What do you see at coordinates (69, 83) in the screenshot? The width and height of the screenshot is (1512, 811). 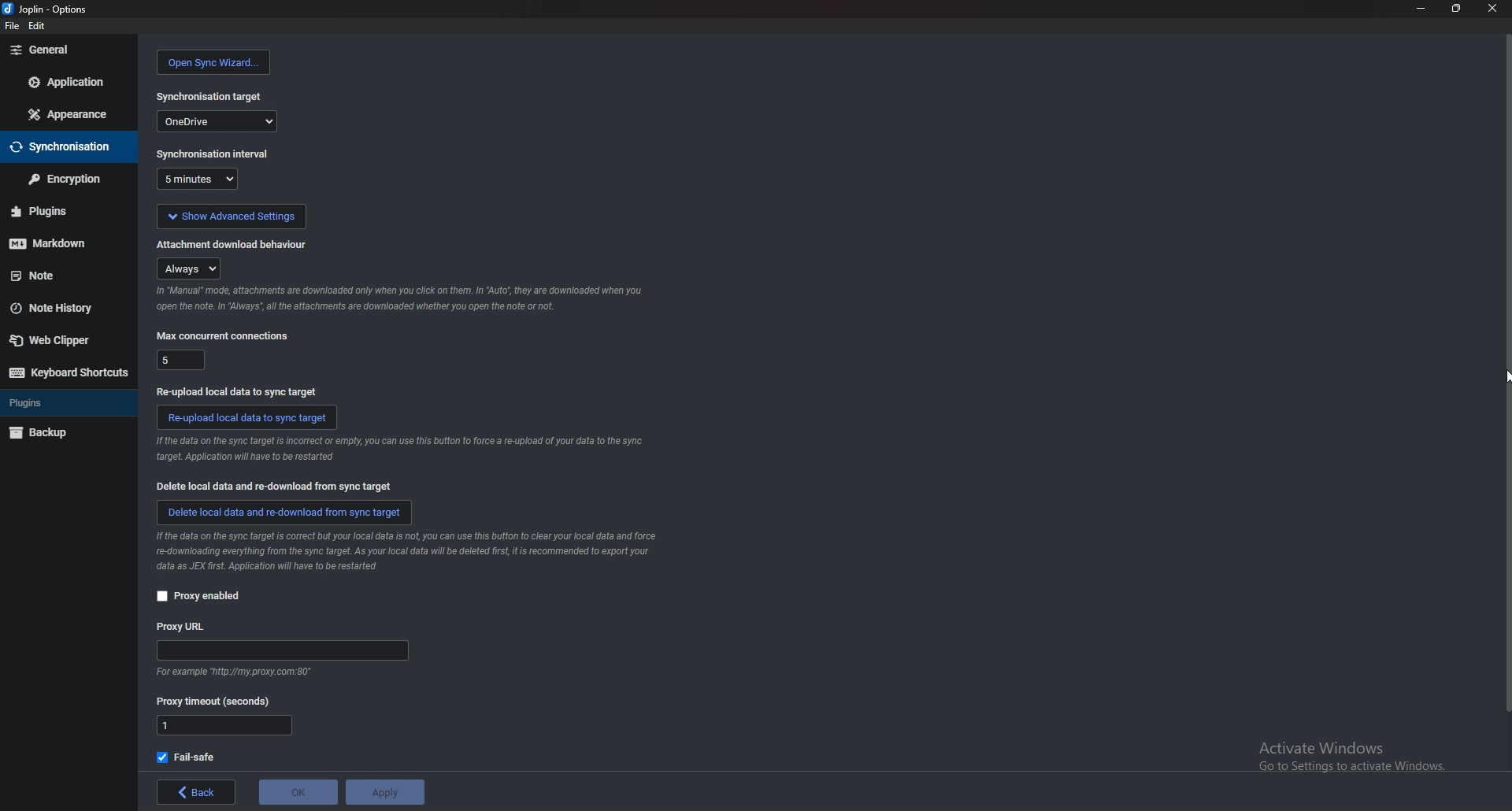 I see `application` at bounding box center [69, 83].